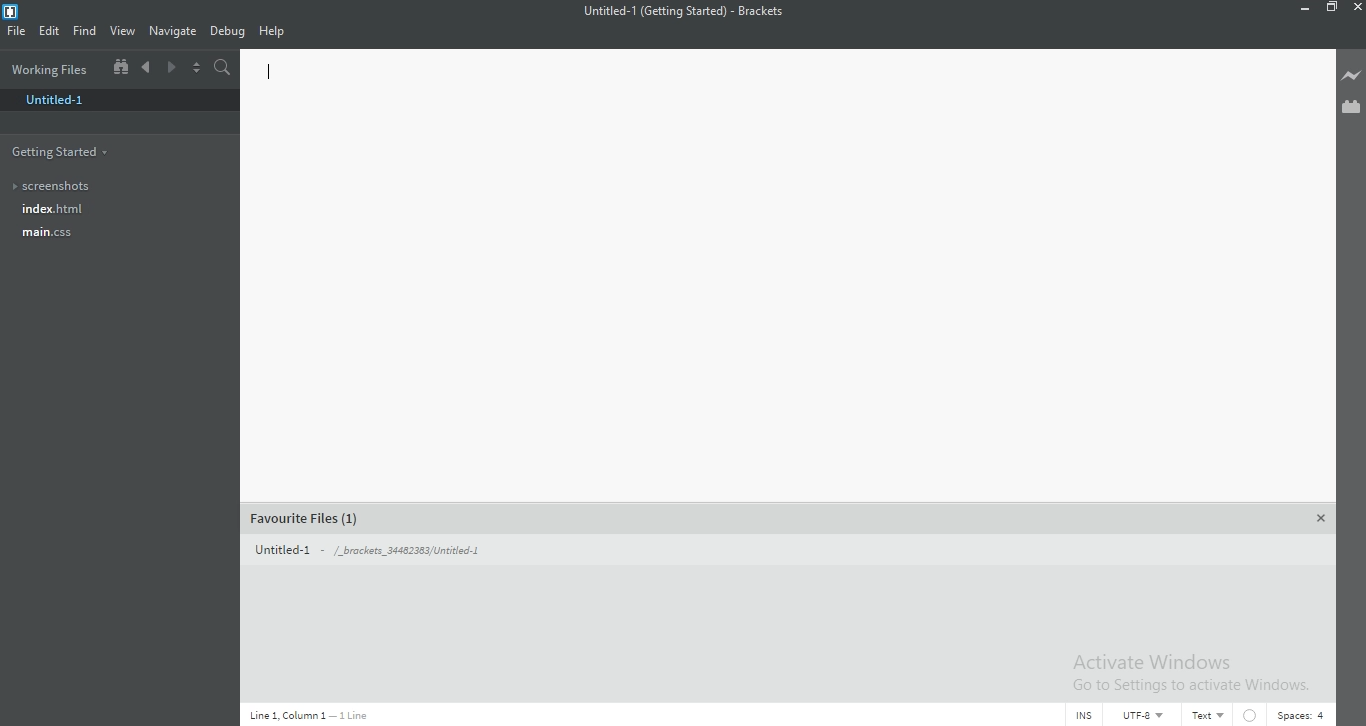 Image resolution: width=1366 pixels, height=726 pixels. Describe the element at coordinates (1085, 717) in the screenshot. I see `INS` at that location.